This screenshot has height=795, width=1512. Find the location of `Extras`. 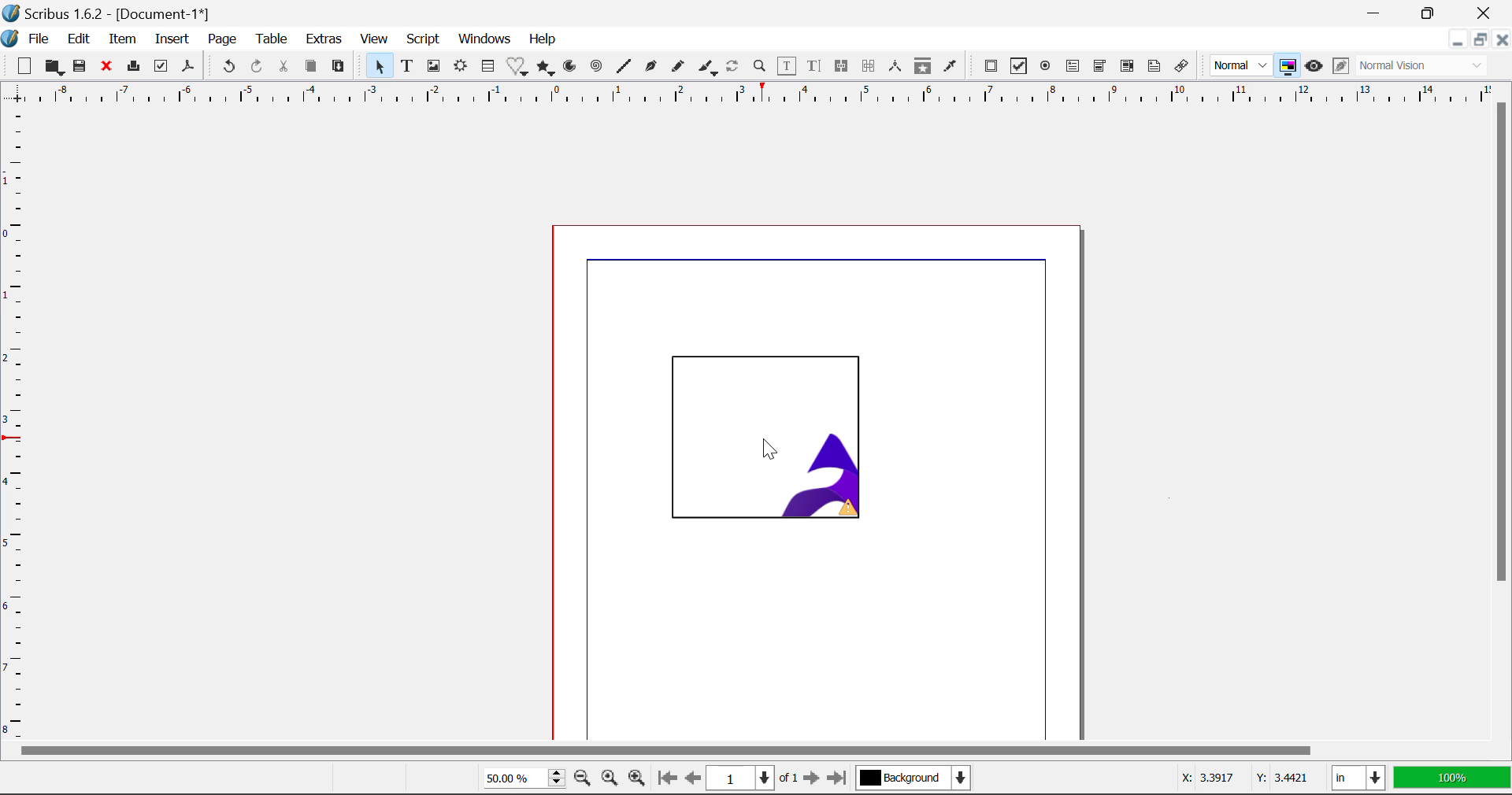

Extras is located at coordinates (325, 39).